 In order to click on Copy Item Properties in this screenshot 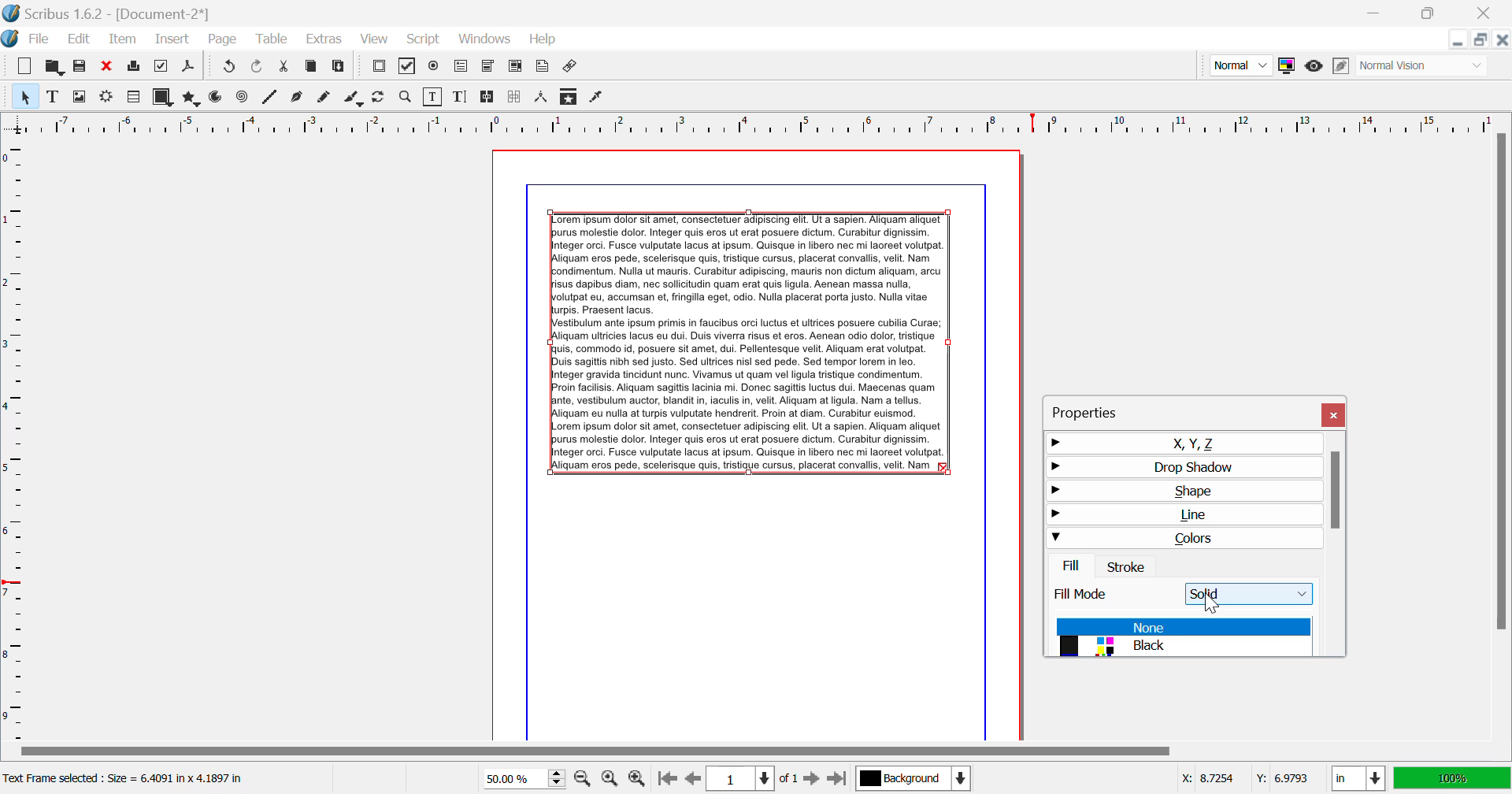, I will do `click(570, 96)`.